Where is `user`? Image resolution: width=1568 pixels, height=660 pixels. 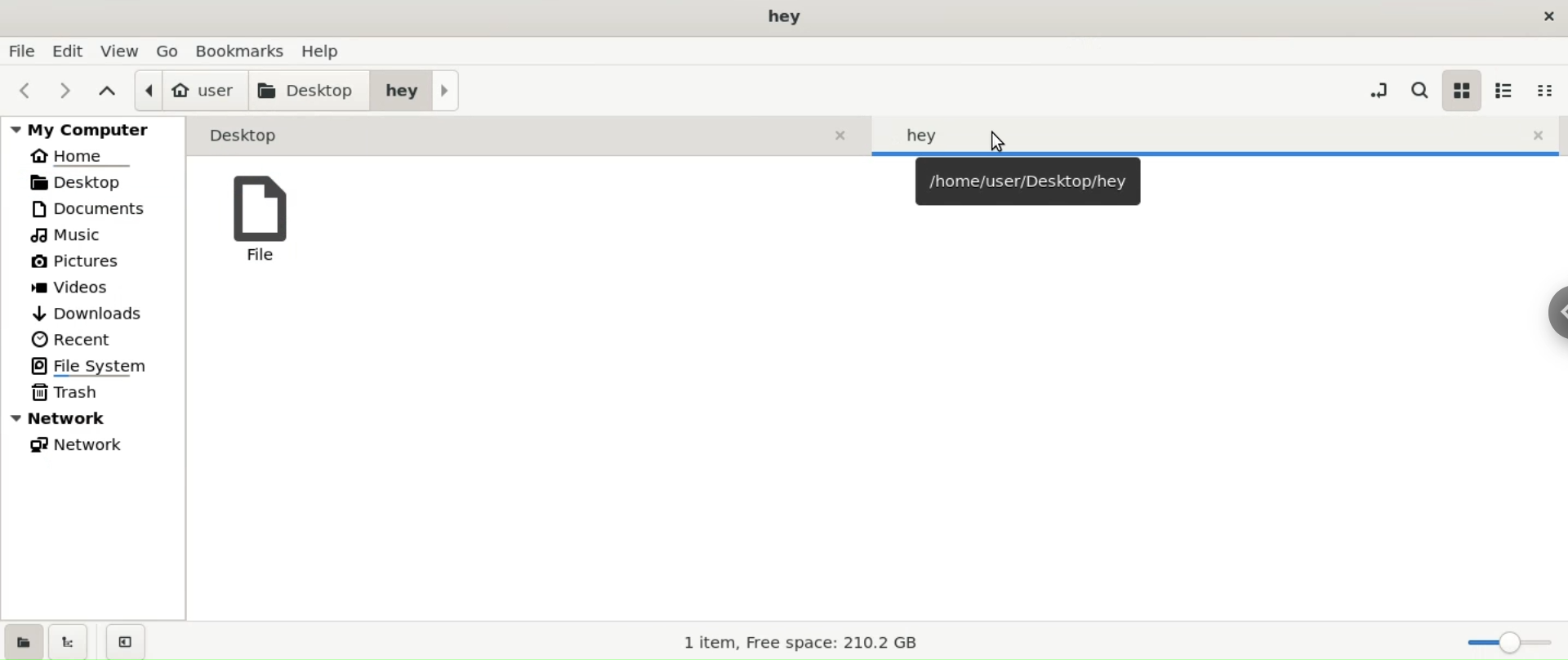 user is located at coordinates (191, 90).